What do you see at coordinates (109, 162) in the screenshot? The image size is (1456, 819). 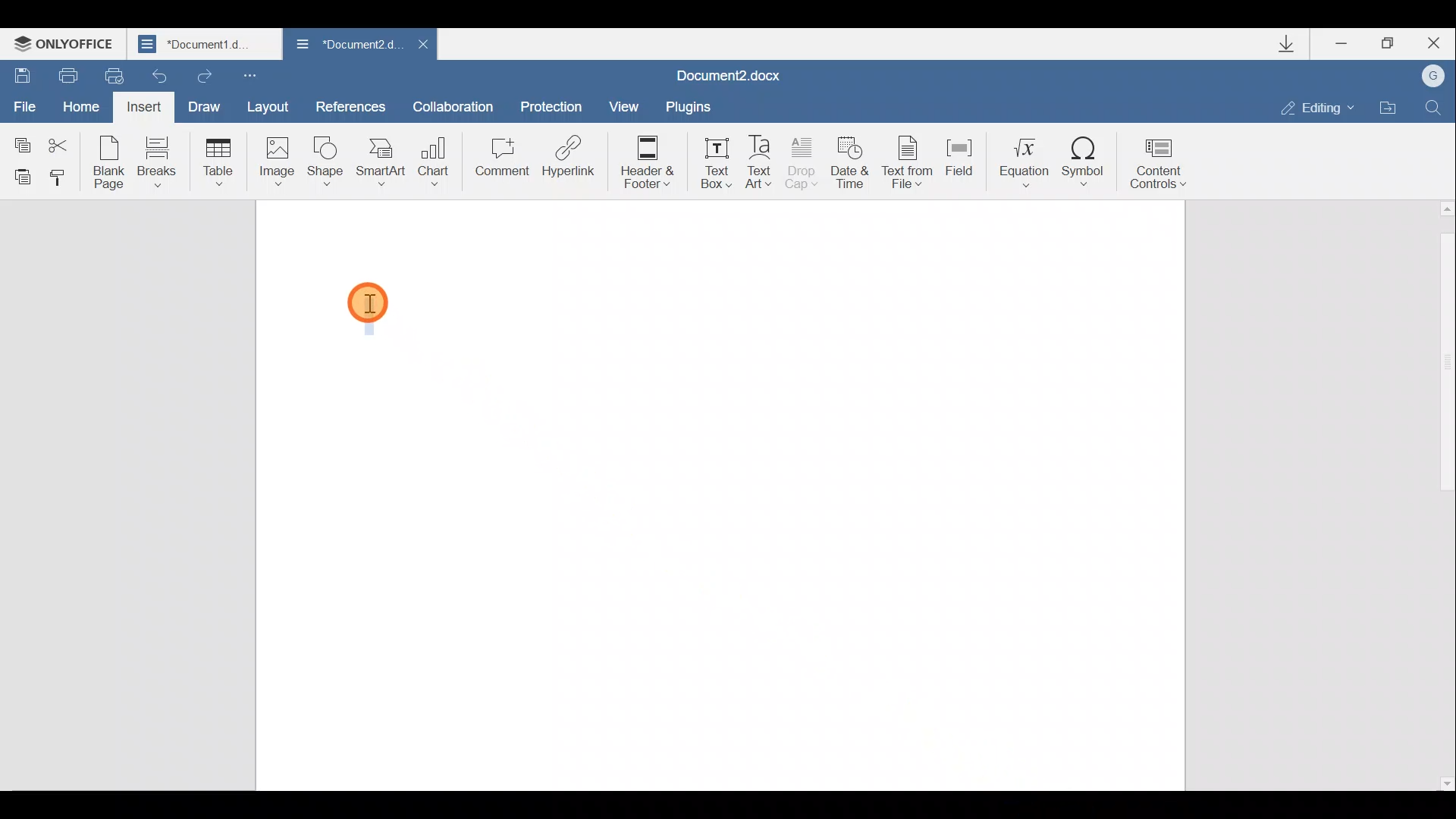 I see ` Blank page` at bounding box center [109, 162].